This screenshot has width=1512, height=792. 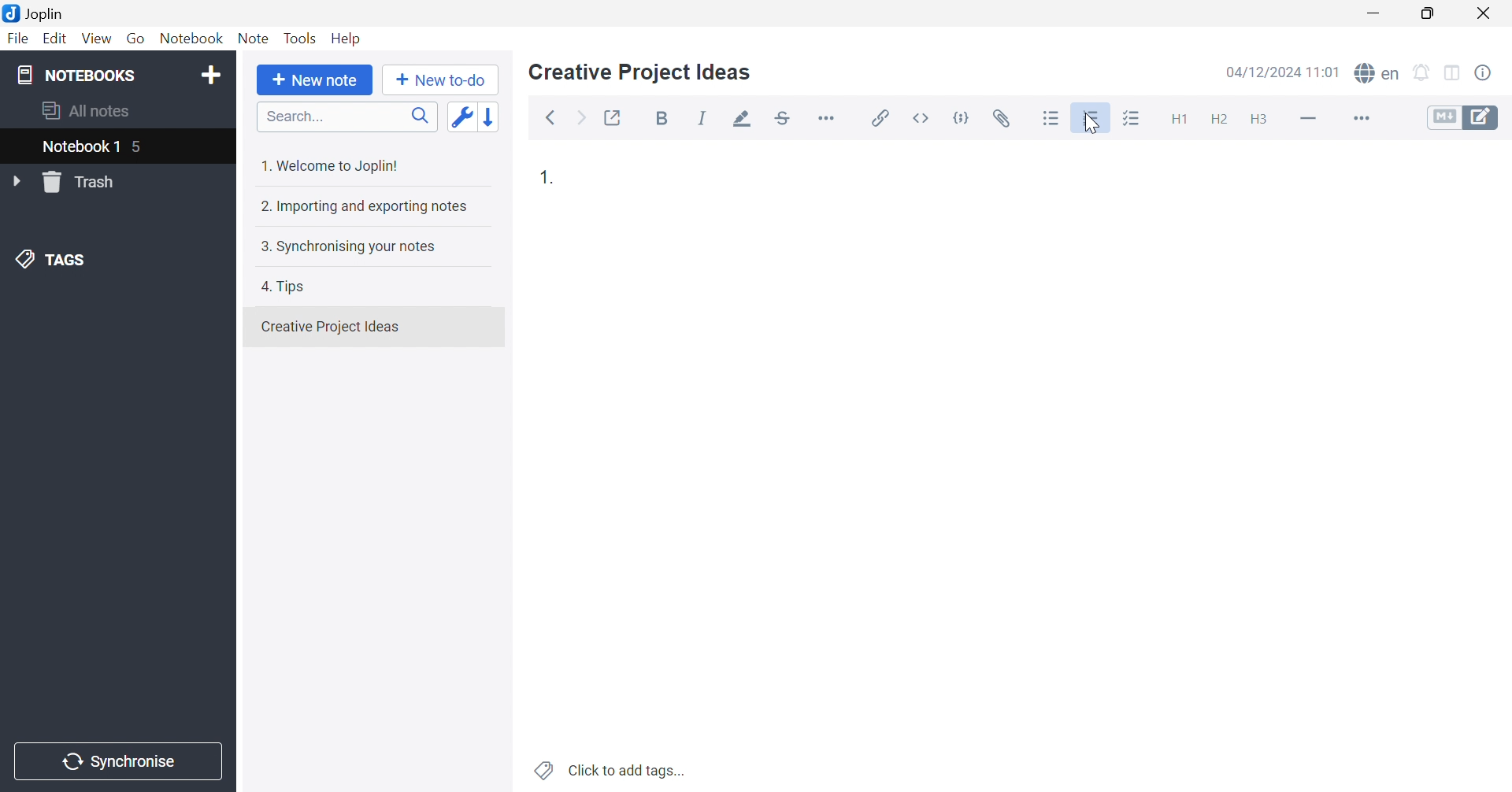 I want to click on Creative Projects Ideas, so click(x=330, y=327).